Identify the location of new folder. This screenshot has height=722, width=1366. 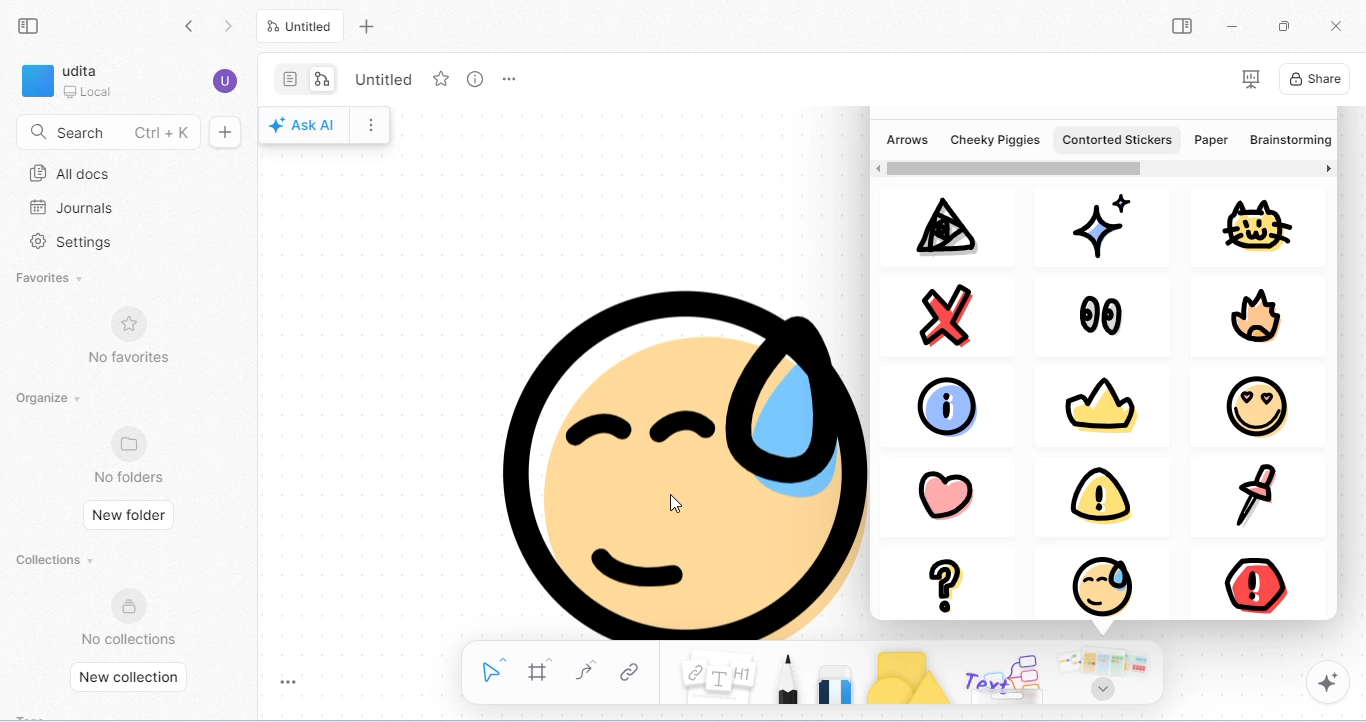
(130, 514).